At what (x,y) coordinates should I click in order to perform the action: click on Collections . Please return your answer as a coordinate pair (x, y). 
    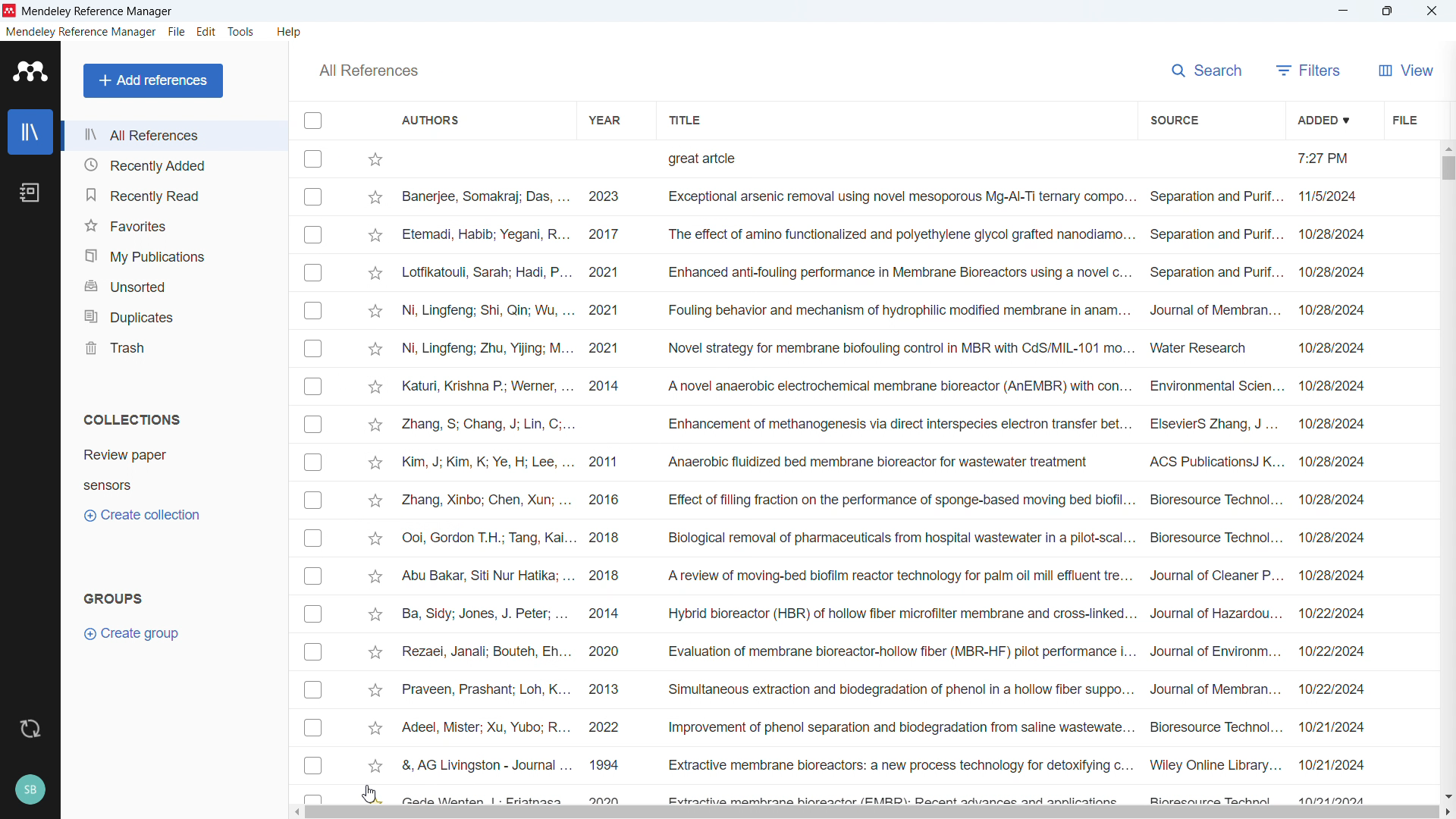
    Looking at the image, I should click on (132, 419).